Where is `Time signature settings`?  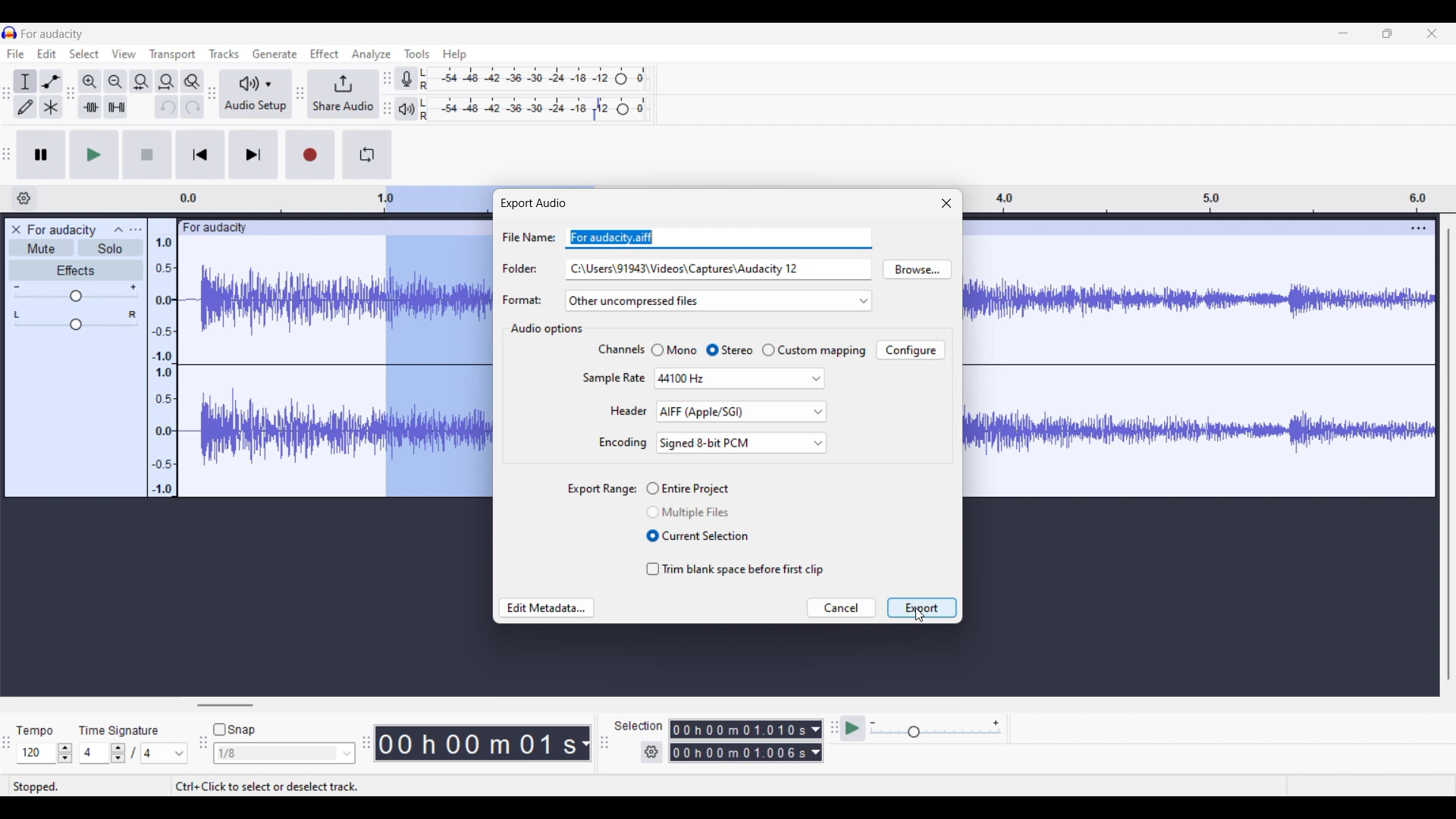
Time signature settings is located at coordinates (133, 753).